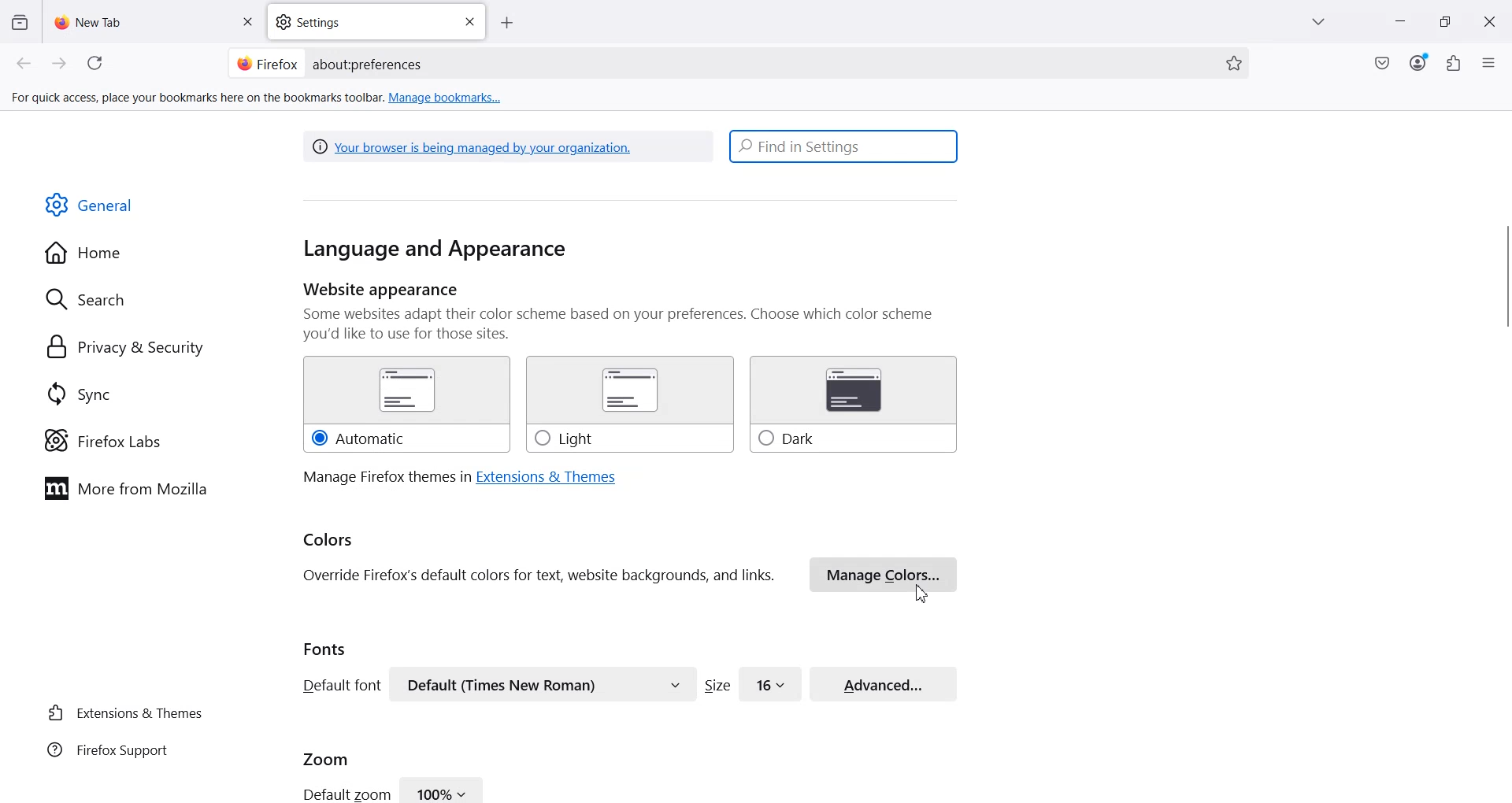  What do you see at coordinates (539, 576) in the screenshot?
I see `Override Firefox's default colors for text, website backgrounds, and links.` at bounding box center [539, 576].